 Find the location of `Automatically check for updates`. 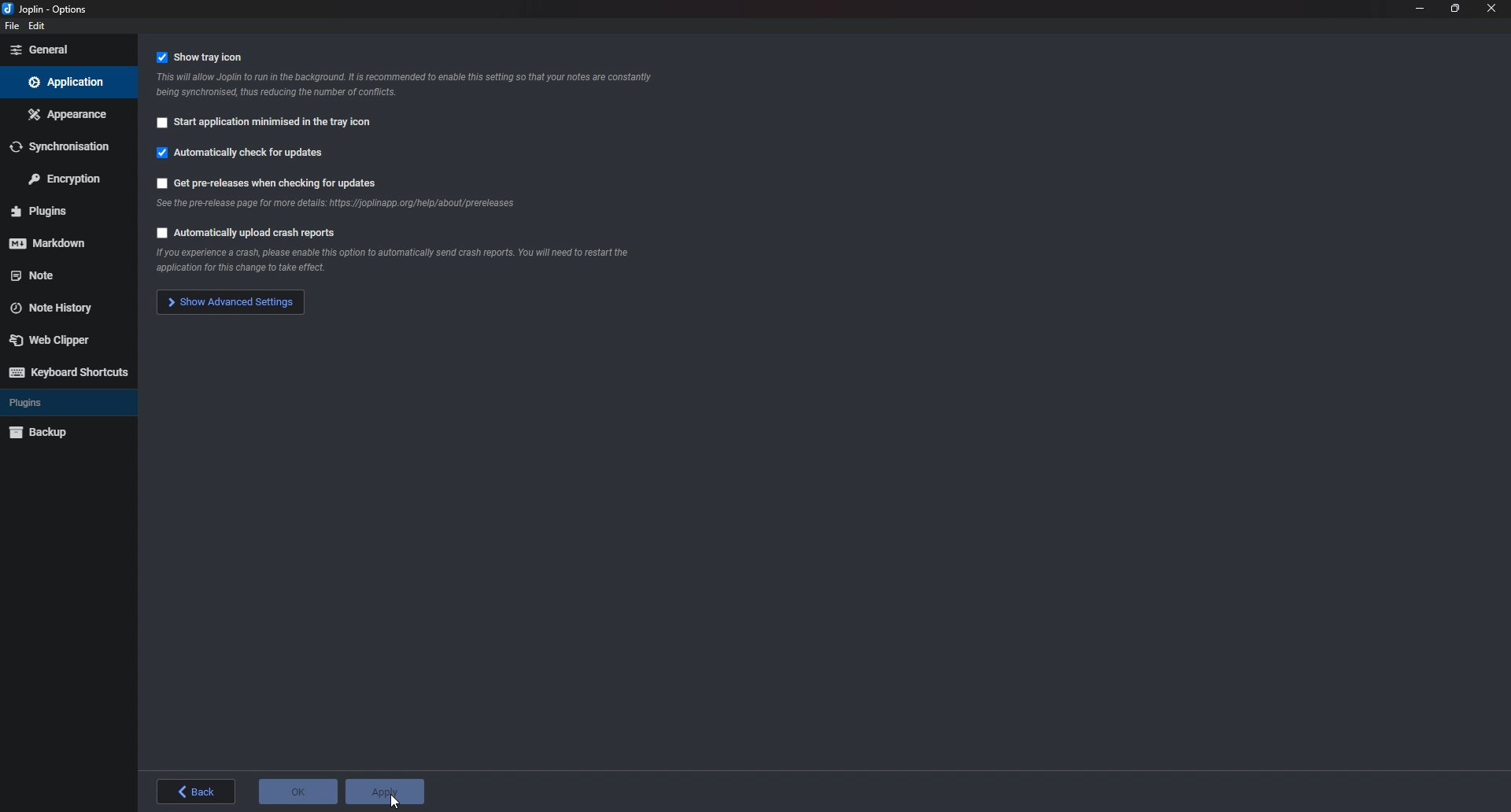

Automatically check for updates is located at coordinates (248, 157).